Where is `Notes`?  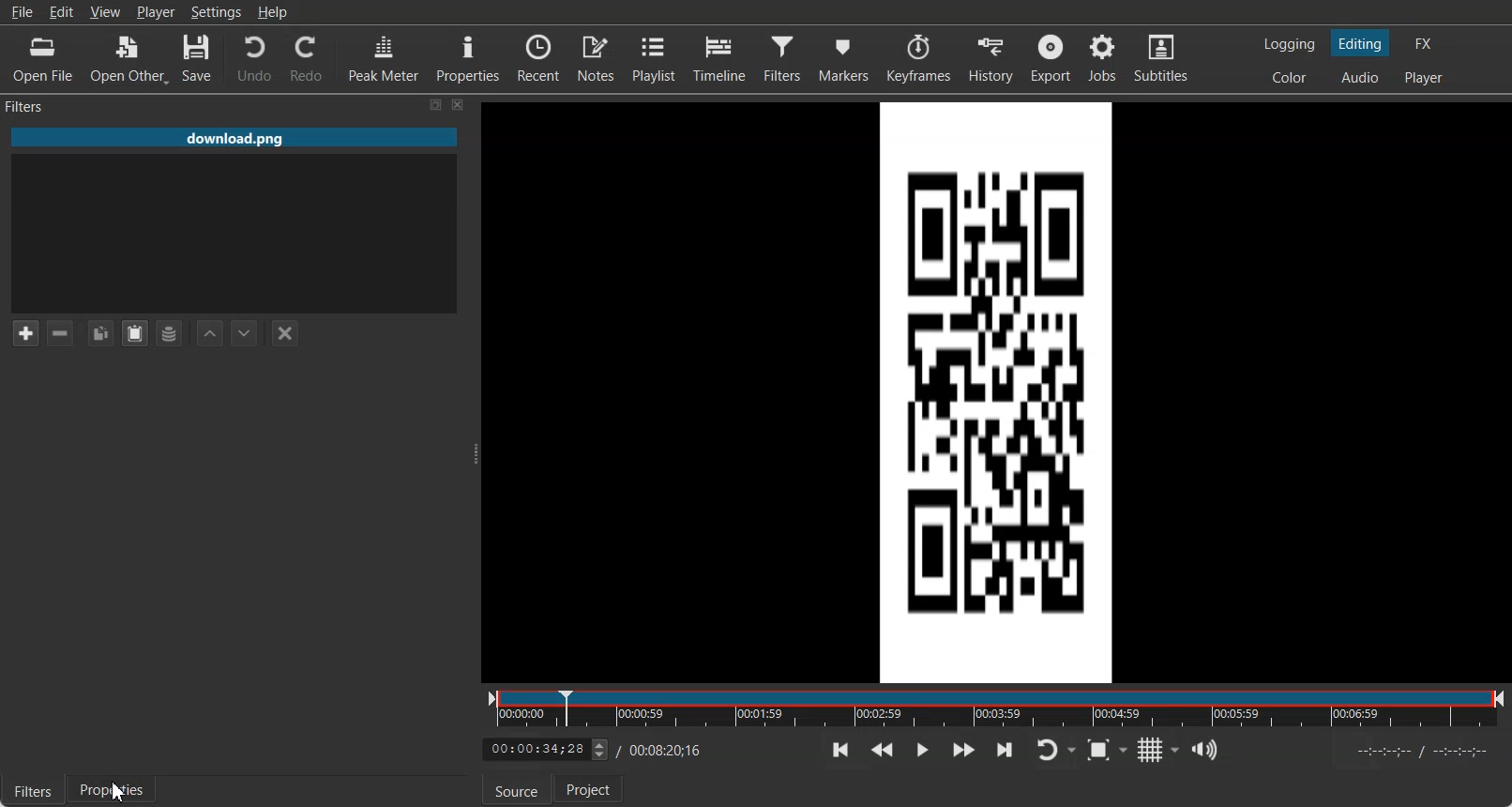
Notes is located at coordinates (596, 57).